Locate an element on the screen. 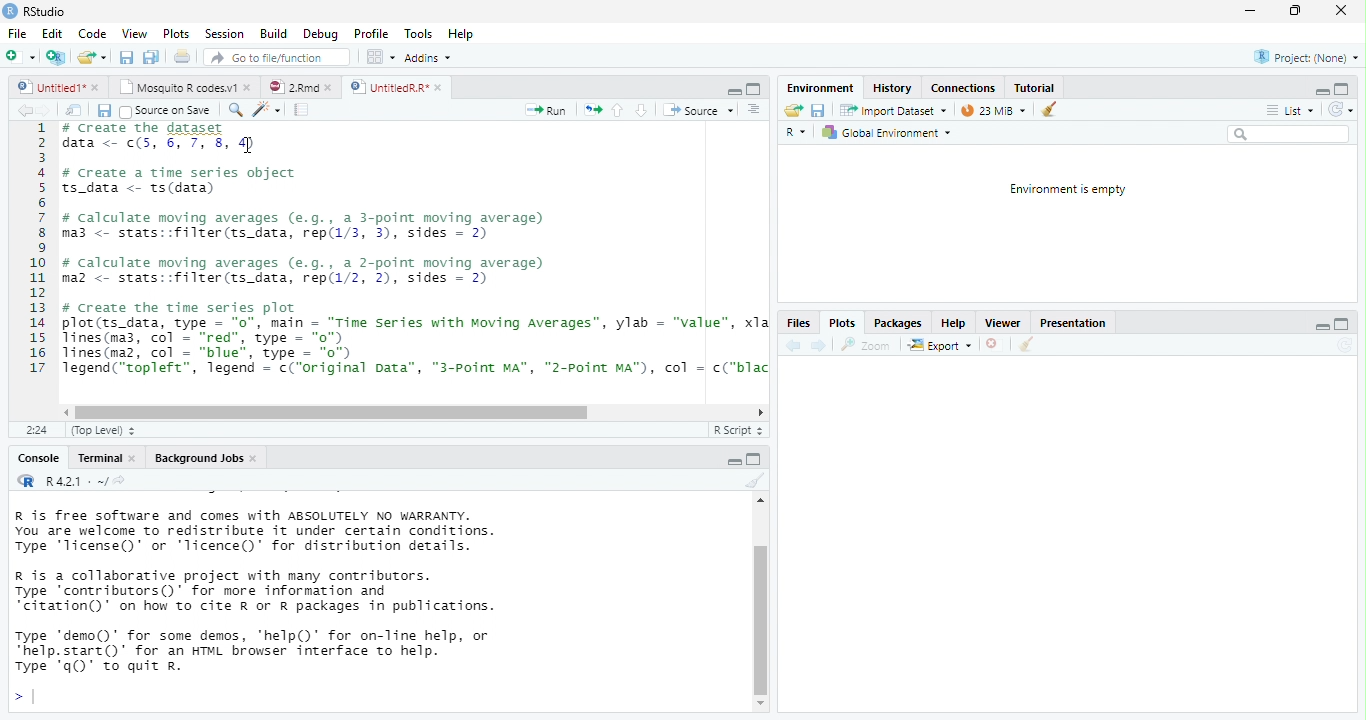  Environment is empty. is located at coordinates (1067, 190).